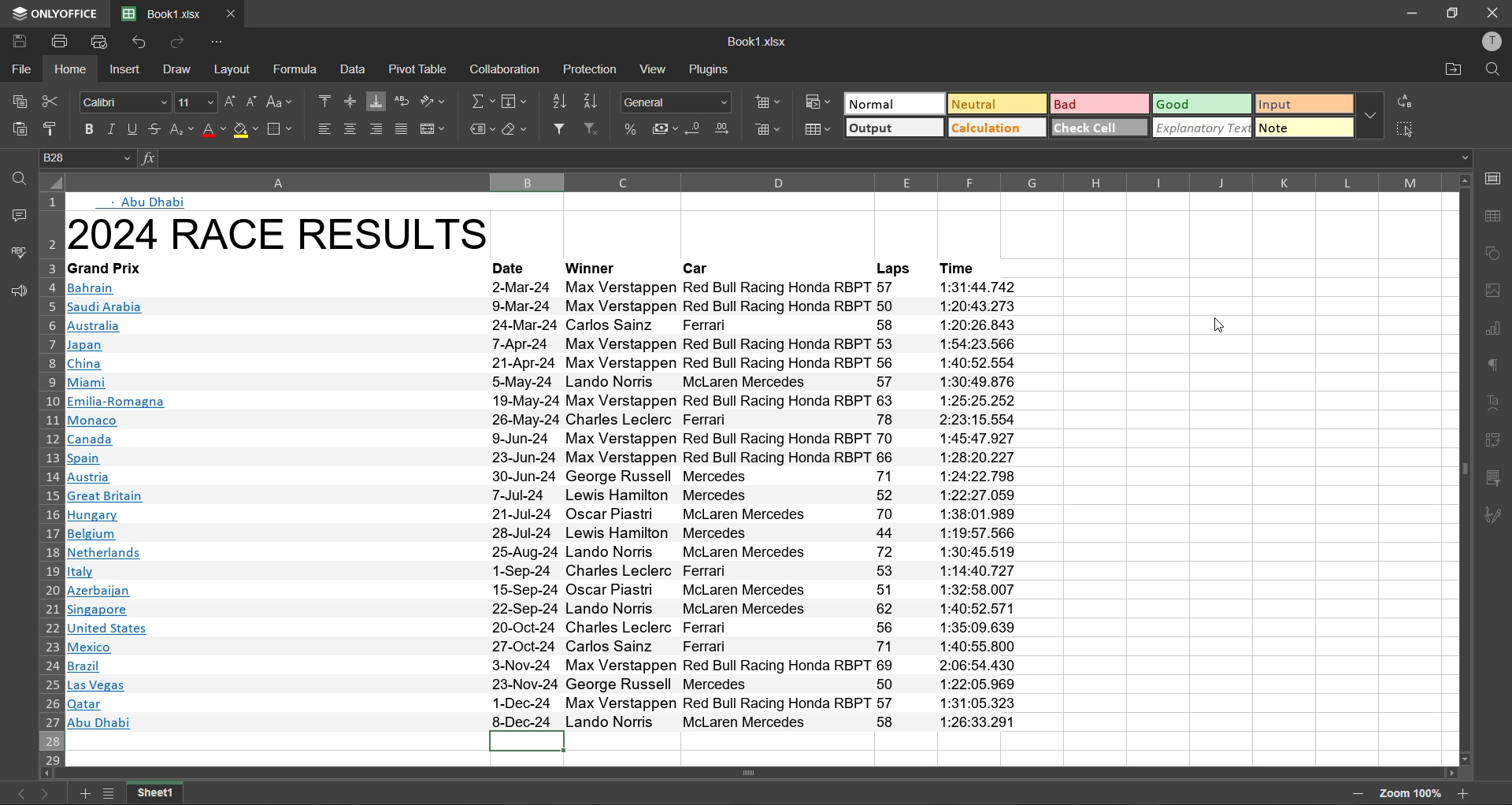  Describe the element at coordinates (894, 103) in the screenshot. I see `normal` at that location.